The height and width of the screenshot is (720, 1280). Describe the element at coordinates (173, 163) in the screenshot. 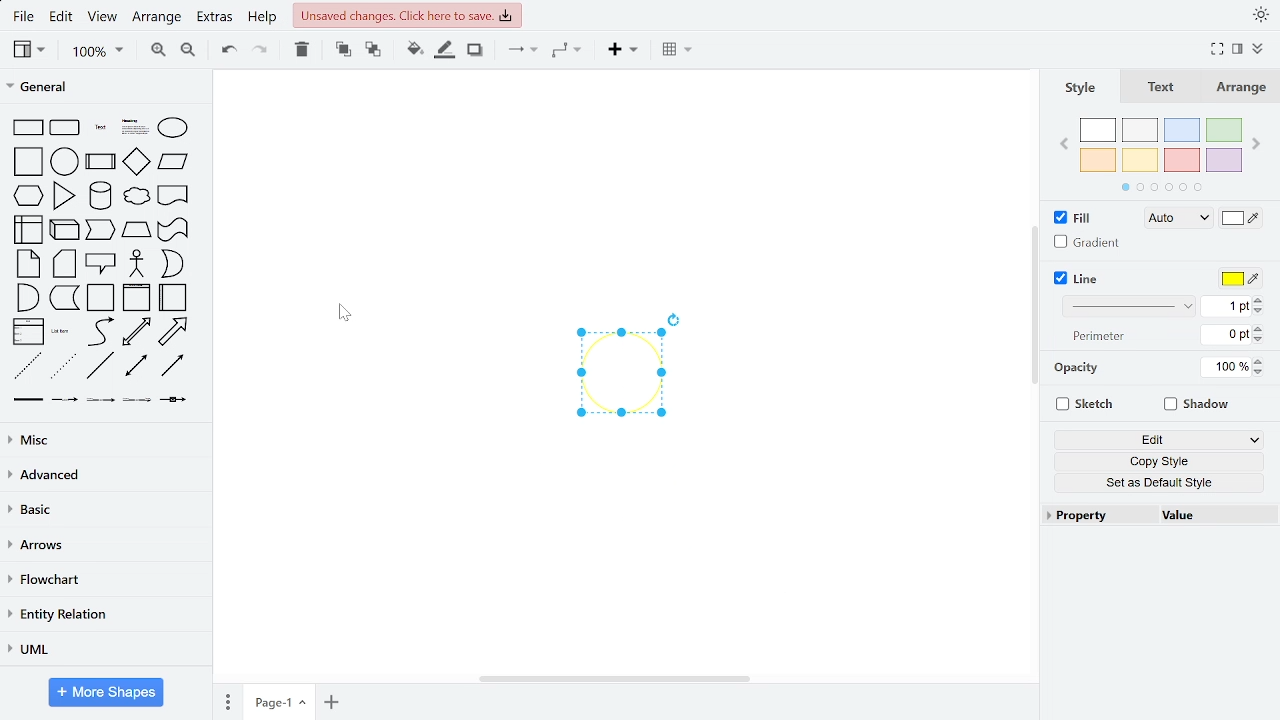

I see `parallelogram` at that location.